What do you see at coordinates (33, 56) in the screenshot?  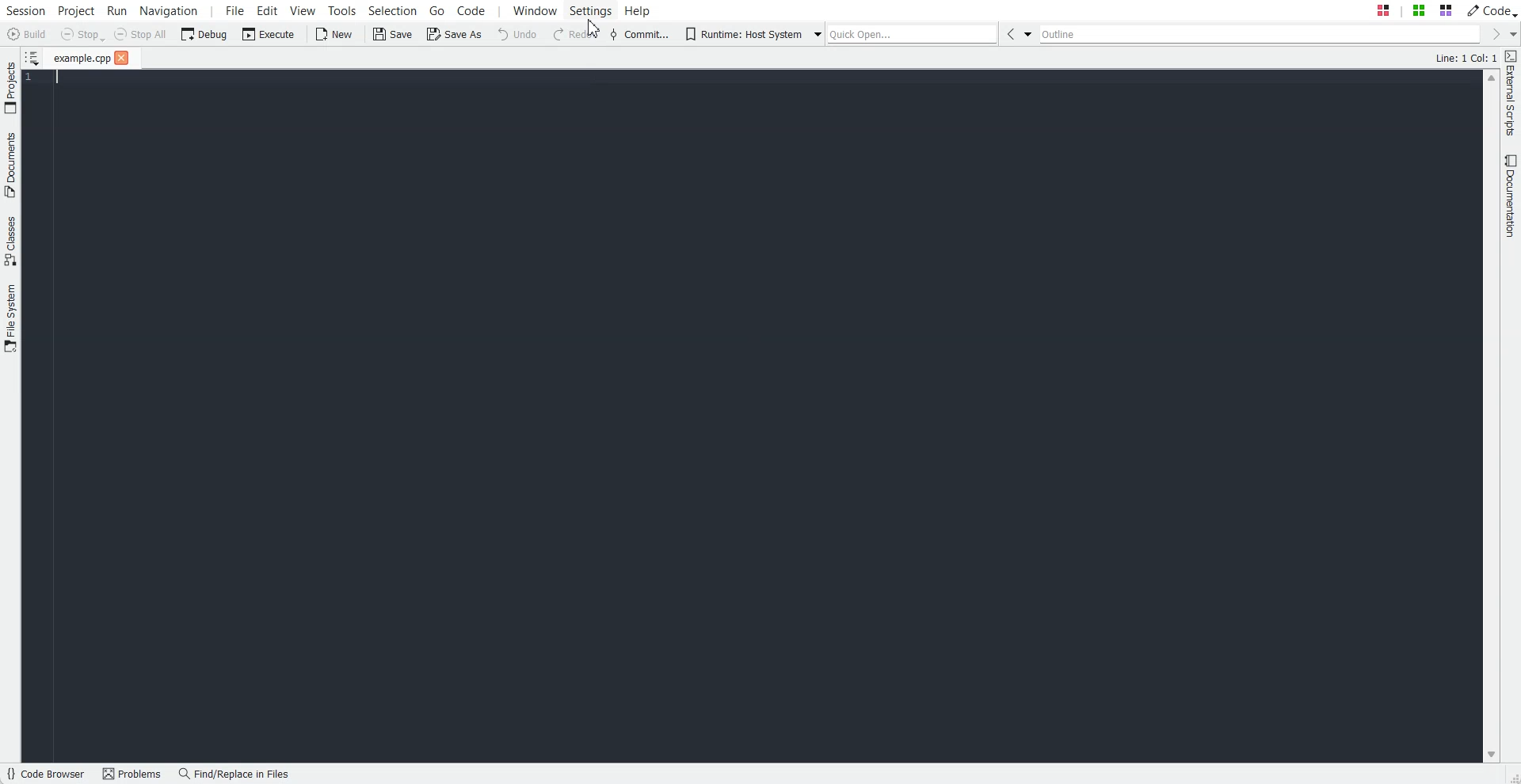 I see `Show sorted list` at bounding box center [33, 56].